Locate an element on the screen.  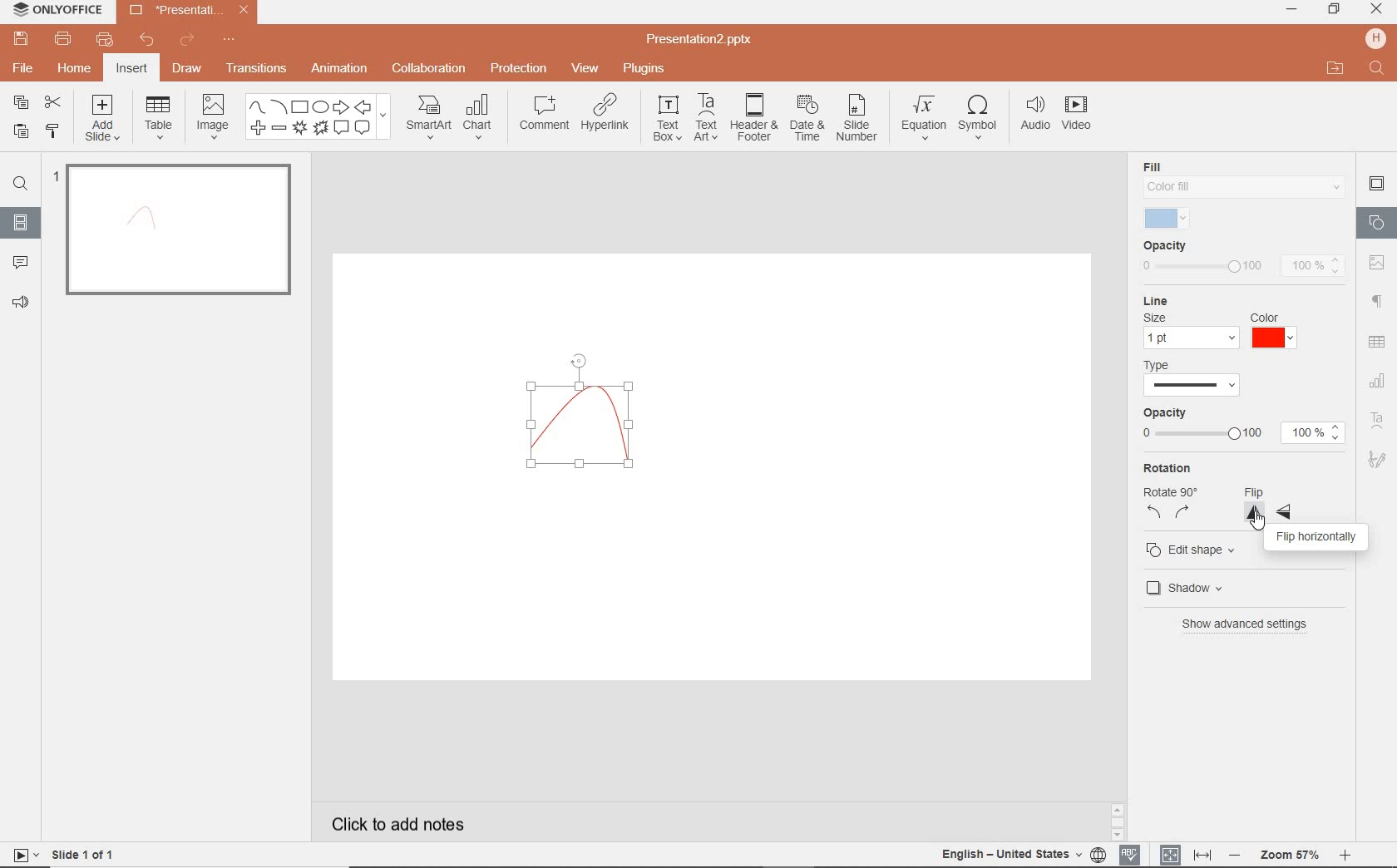
COLLABORATION is located at coordinates (429, 67).